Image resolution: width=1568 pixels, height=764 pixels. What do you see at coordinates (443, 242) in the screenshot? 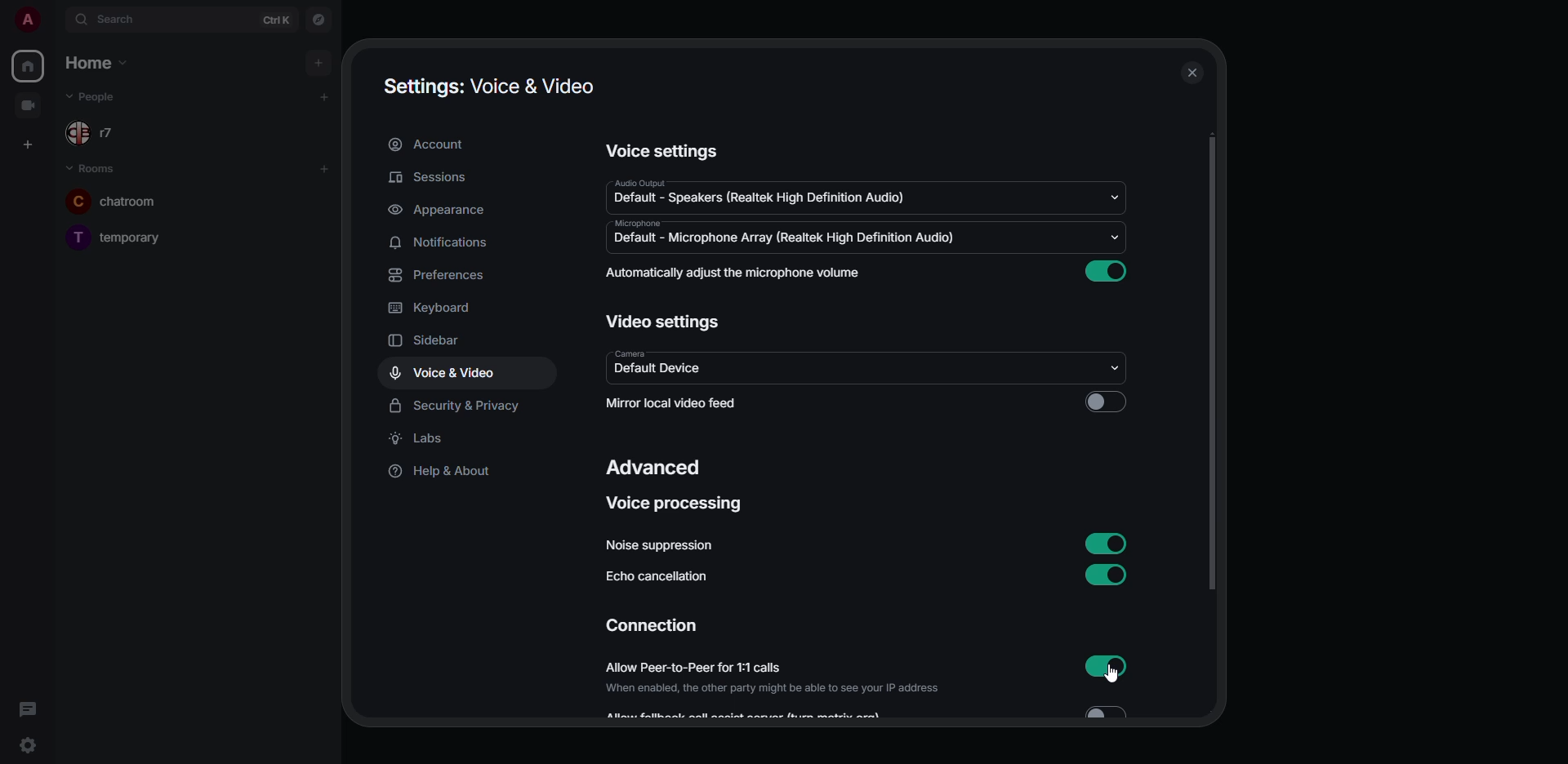
I see `notifications` at bounding box center [443, 242].